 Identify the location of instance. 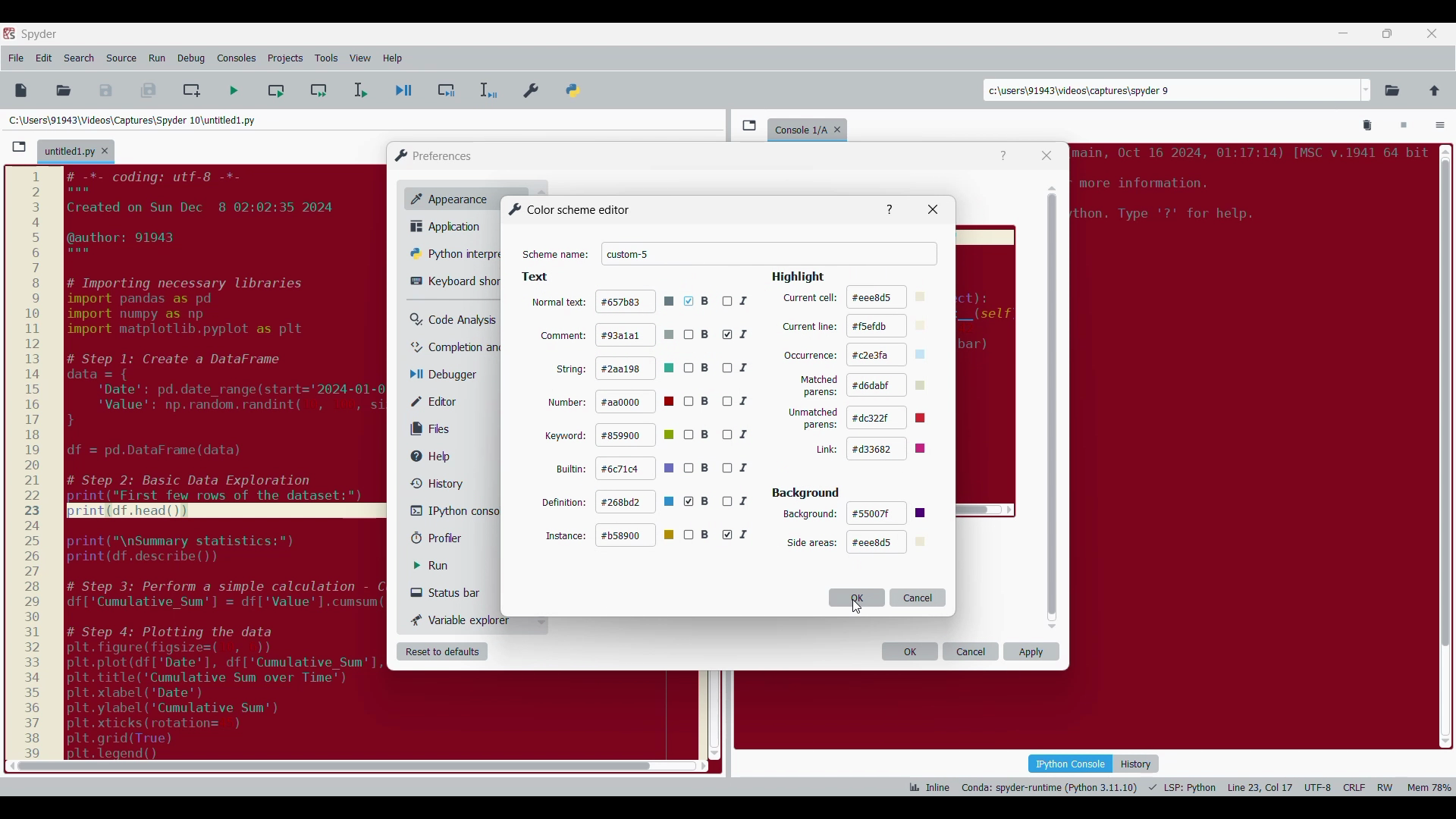
(566, 535).